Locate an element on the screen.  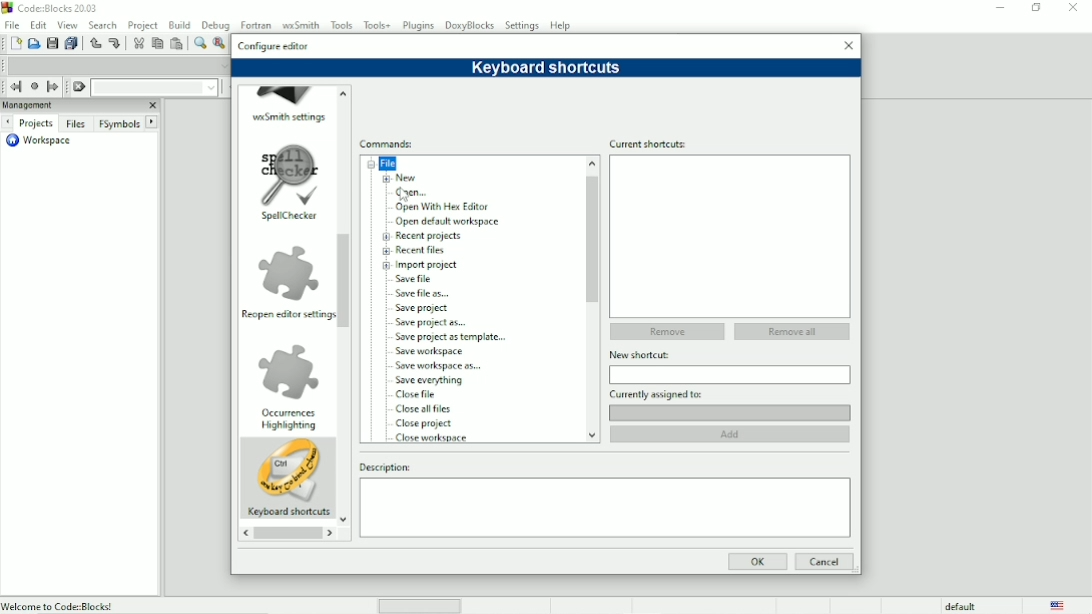
reverse is located at coordinates (244, 534).